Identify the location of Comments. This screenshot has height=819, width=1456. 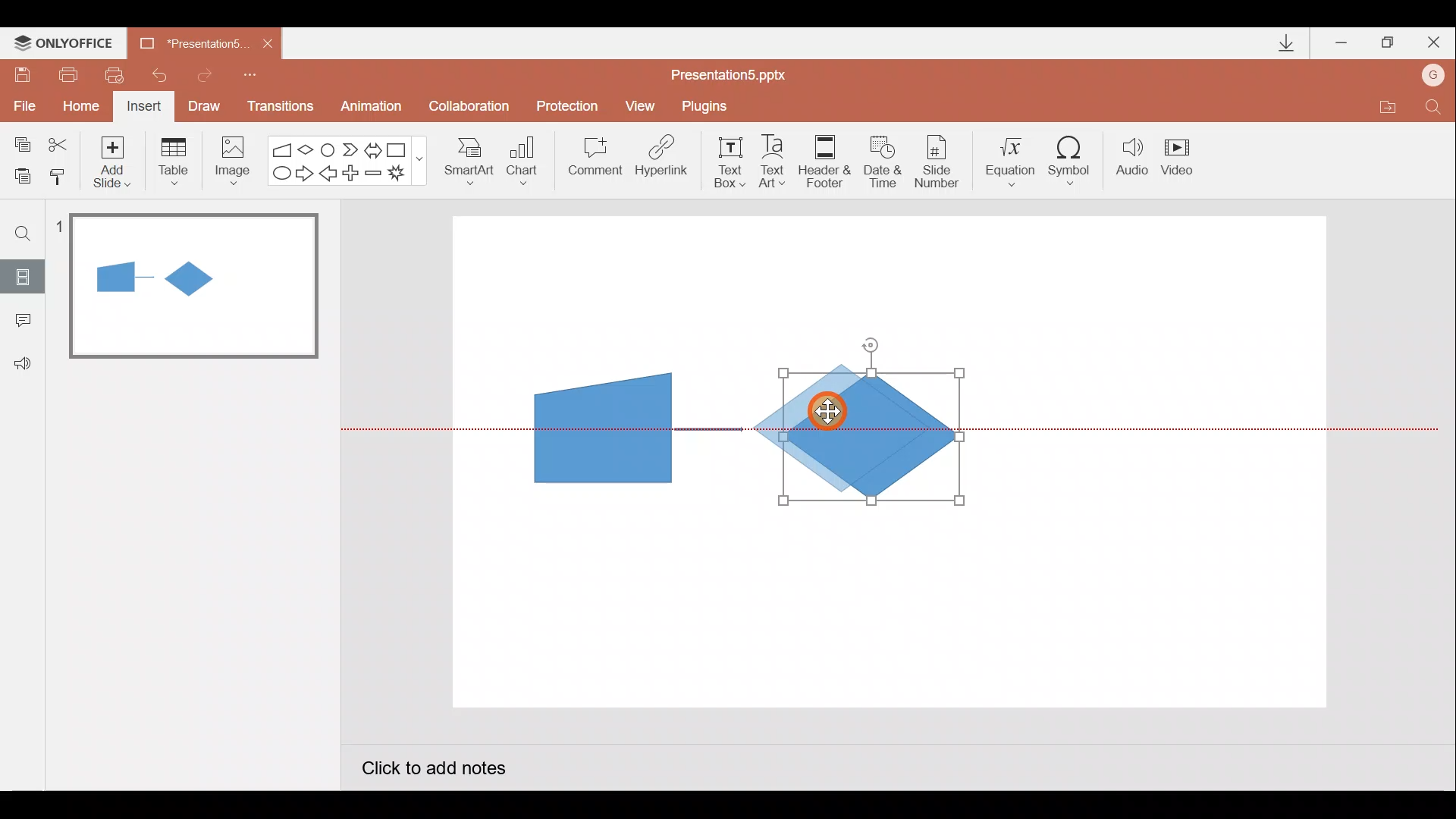
(19, 322).